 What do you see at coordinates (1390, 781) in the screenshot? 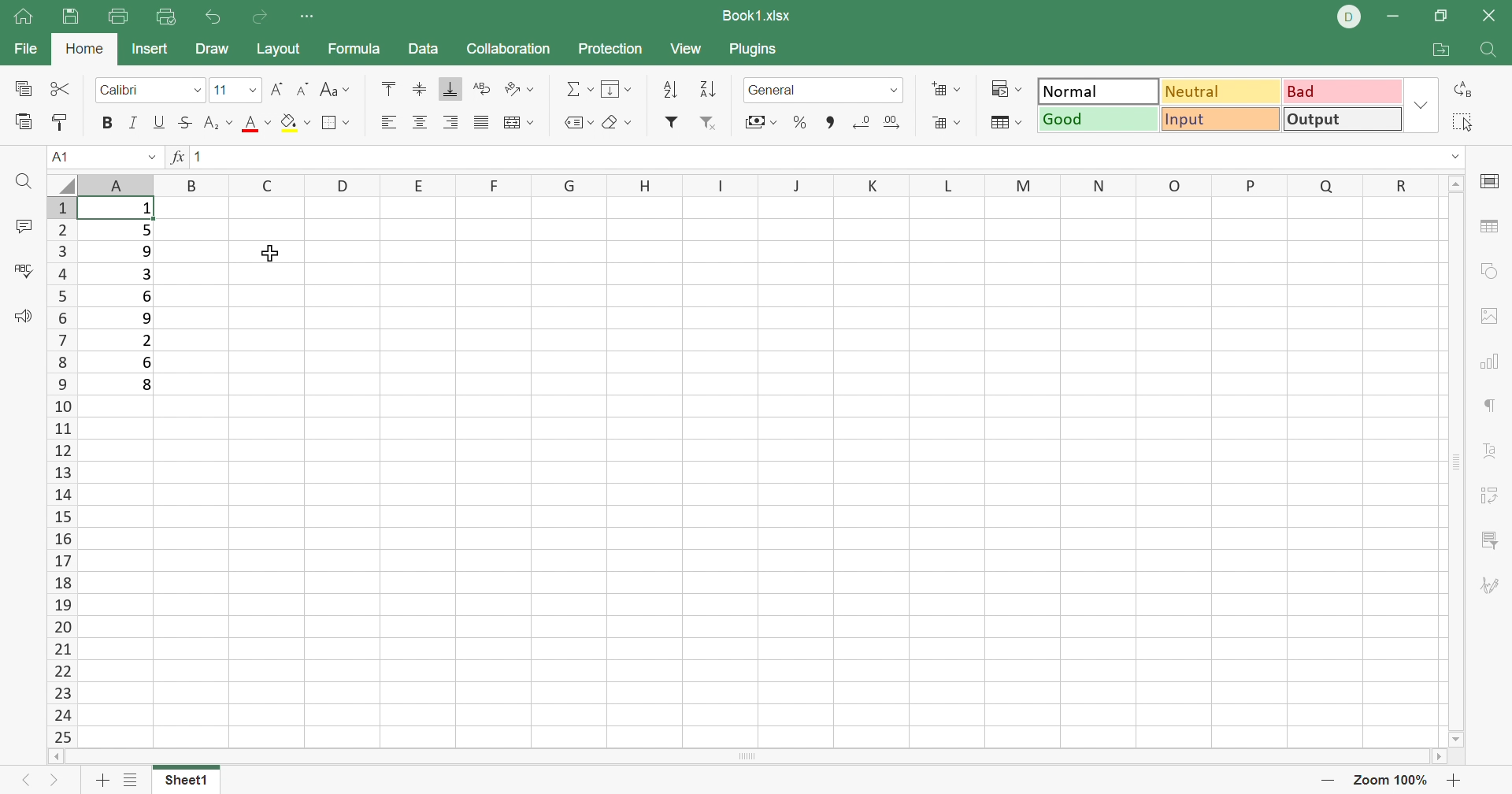
I see `Zoom out 100%` at bounding box center [1390, 781].